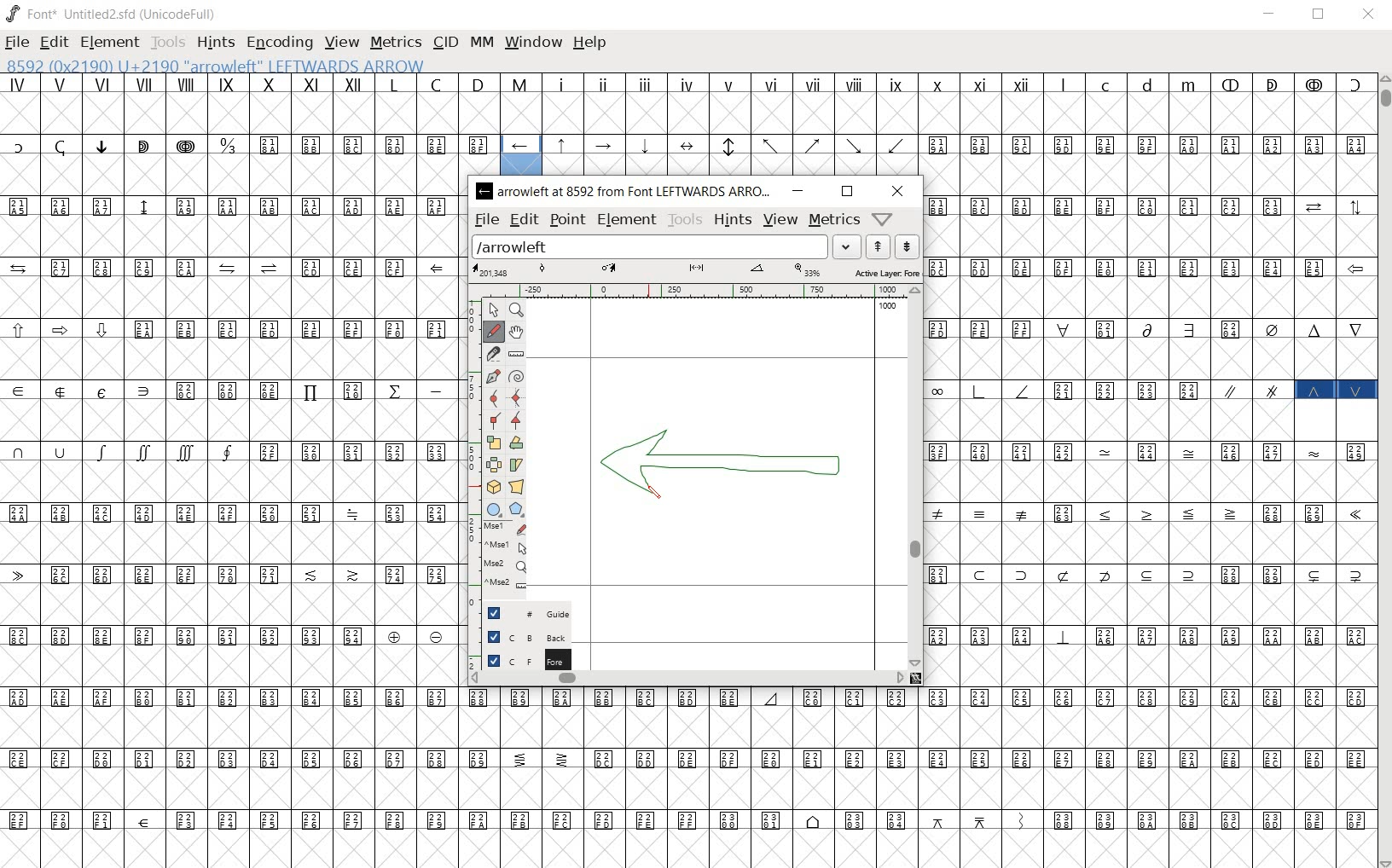  I want to click on glyph, so click(692, 102).